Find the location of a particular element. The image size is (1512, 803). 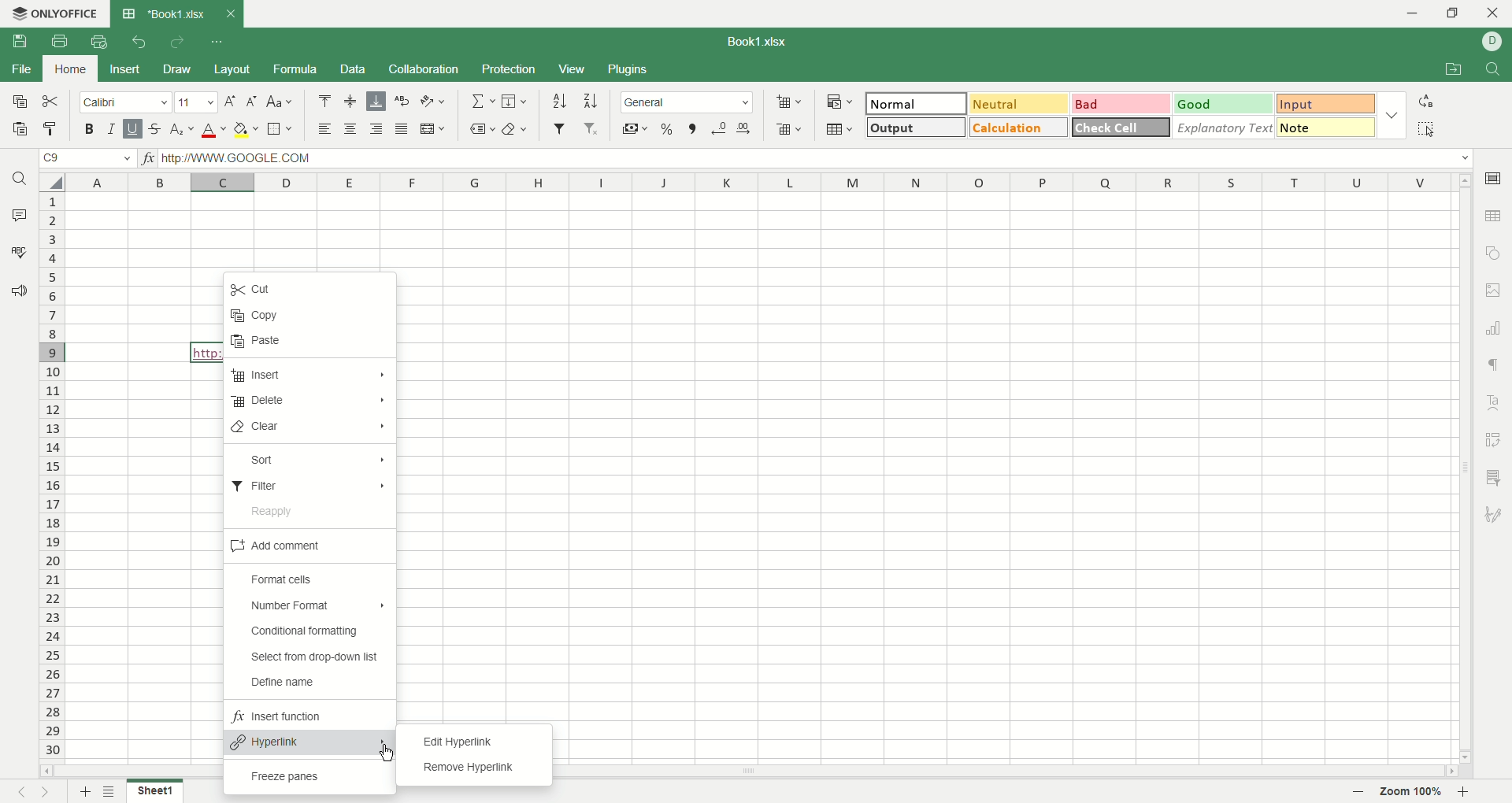

hyperlink is located at coordinates (313, 742).